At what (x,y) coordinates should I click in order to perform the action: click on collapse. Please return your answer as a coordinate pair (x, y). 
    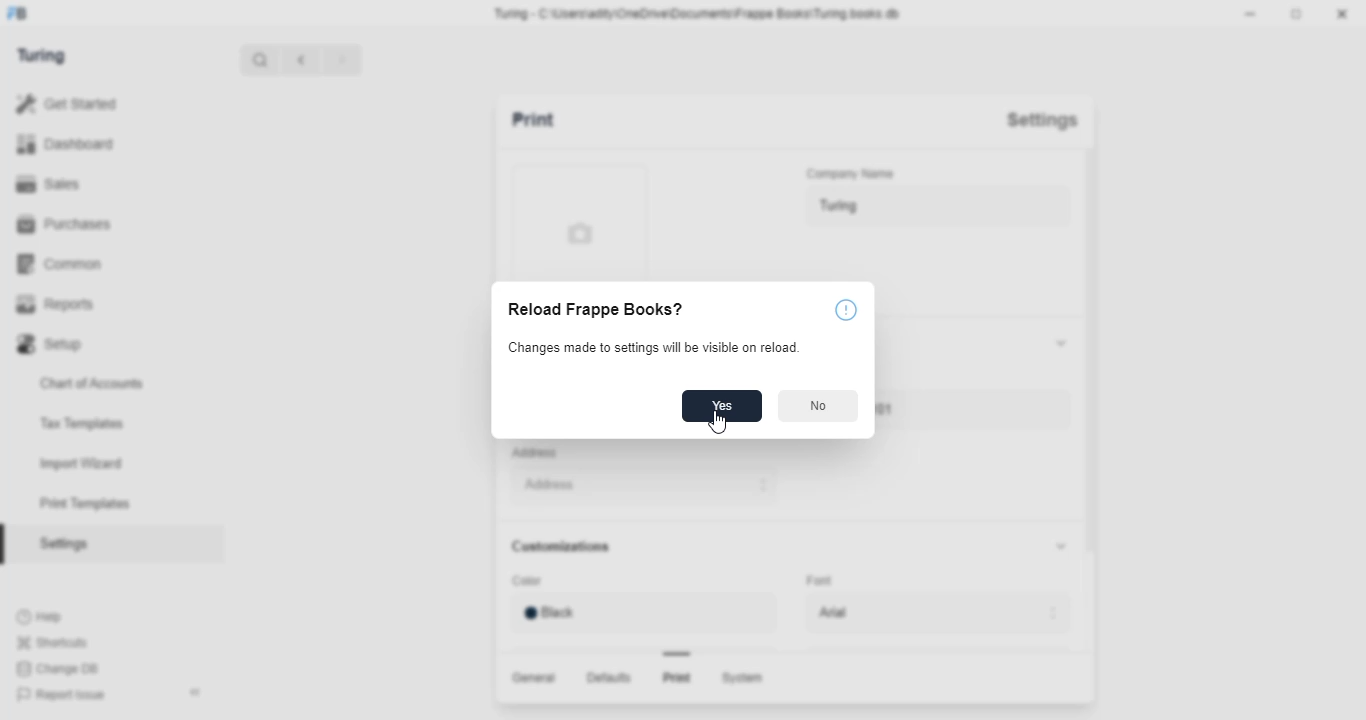
    Looking at the image, I should click on (1056, 341).